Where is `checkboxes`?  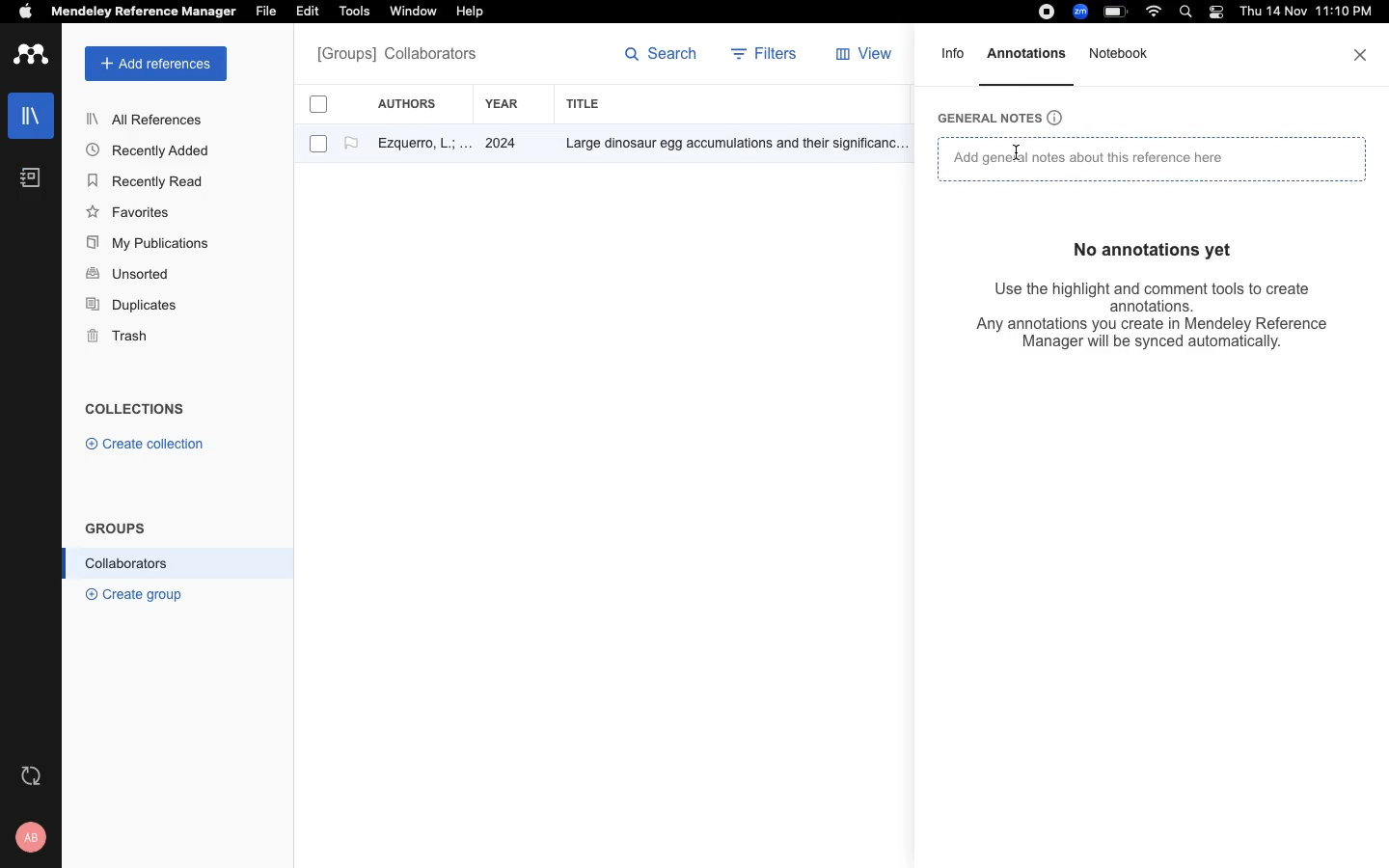 checkboxes is located at coordinates (311, 127).